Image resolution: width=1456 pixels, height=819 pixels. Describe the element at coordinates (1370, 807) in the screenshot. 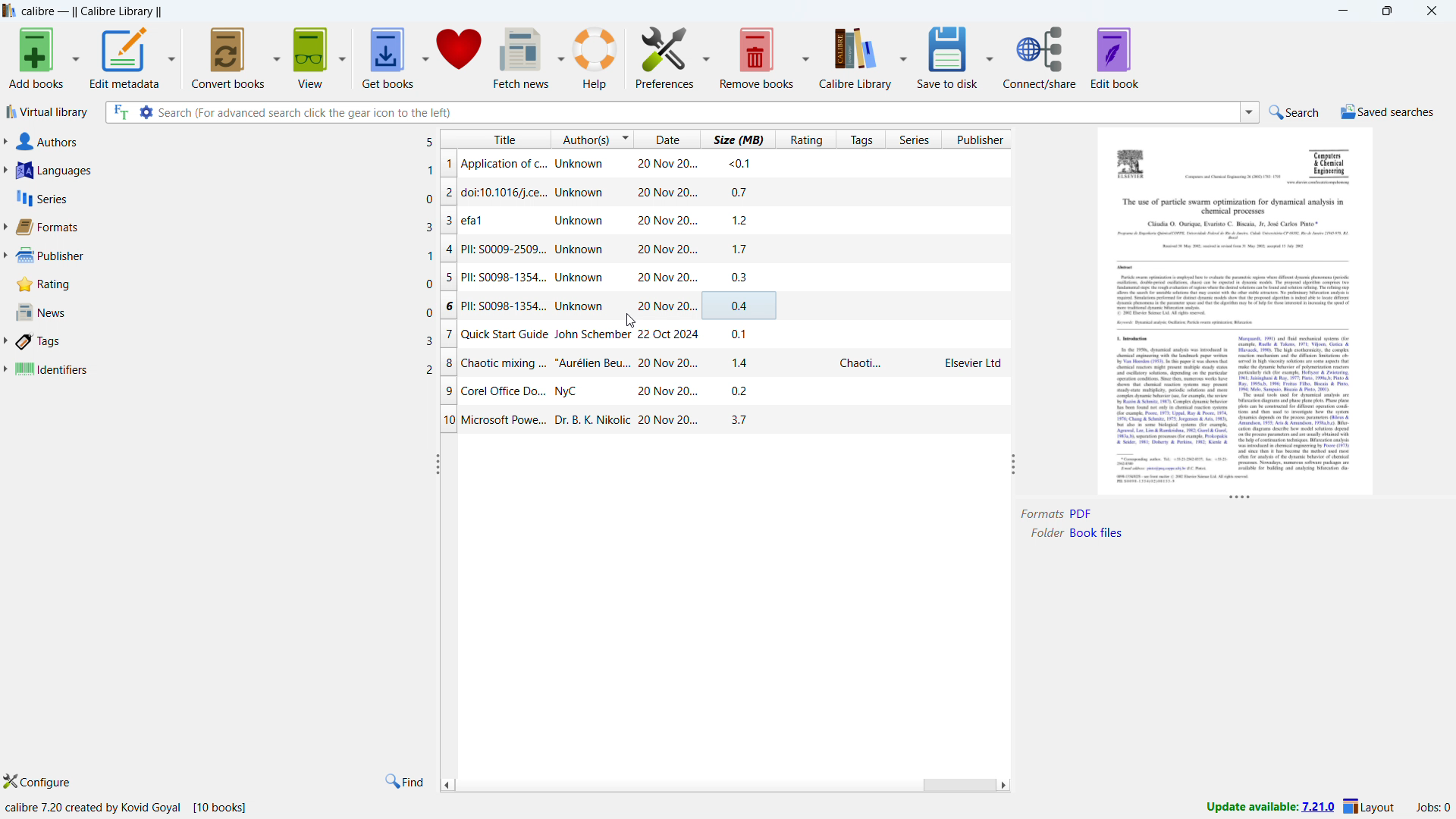

I see `layout` at that location.